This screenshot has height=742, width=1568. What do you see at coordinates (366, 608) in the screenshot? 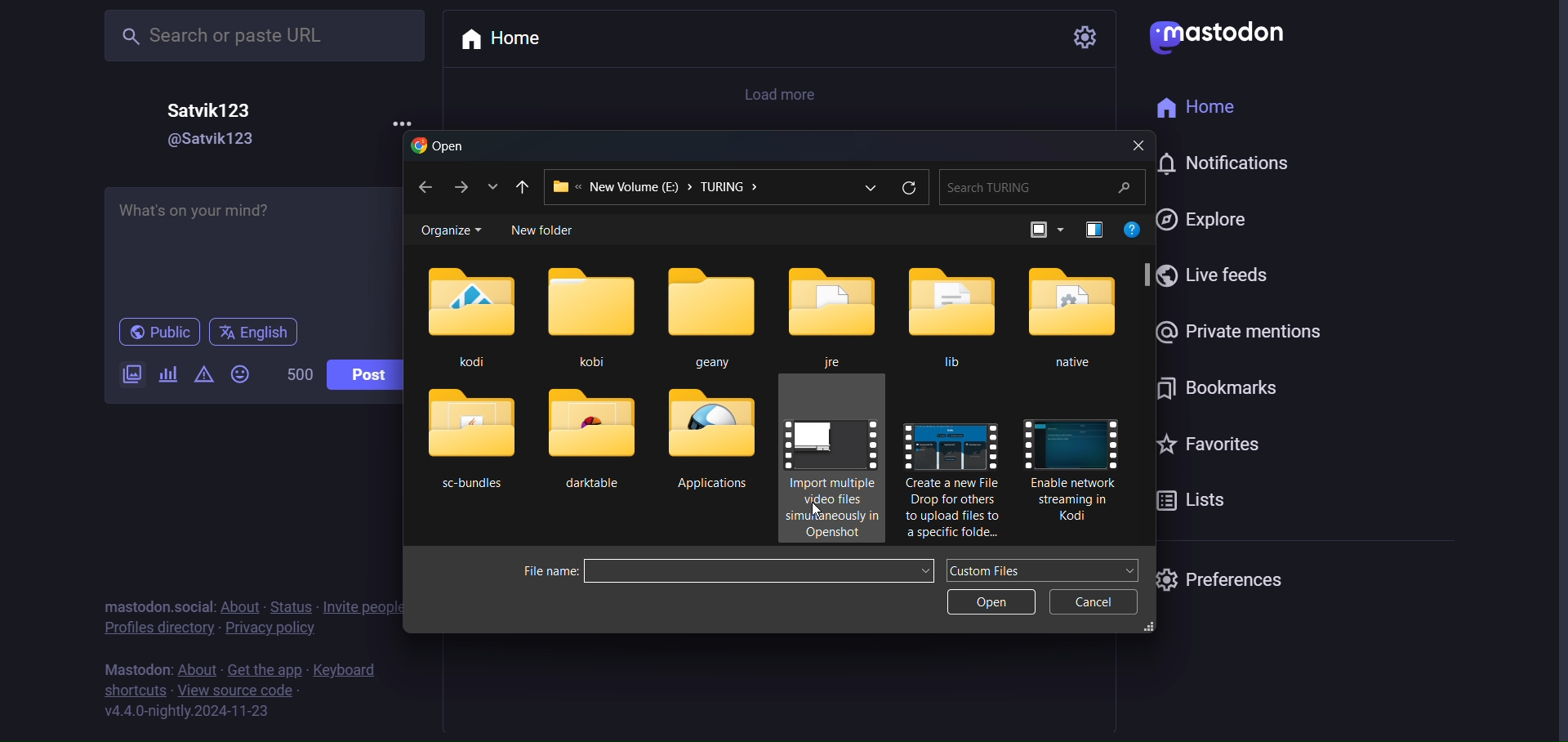
I see `invite people` at bounding box center [366, 608].